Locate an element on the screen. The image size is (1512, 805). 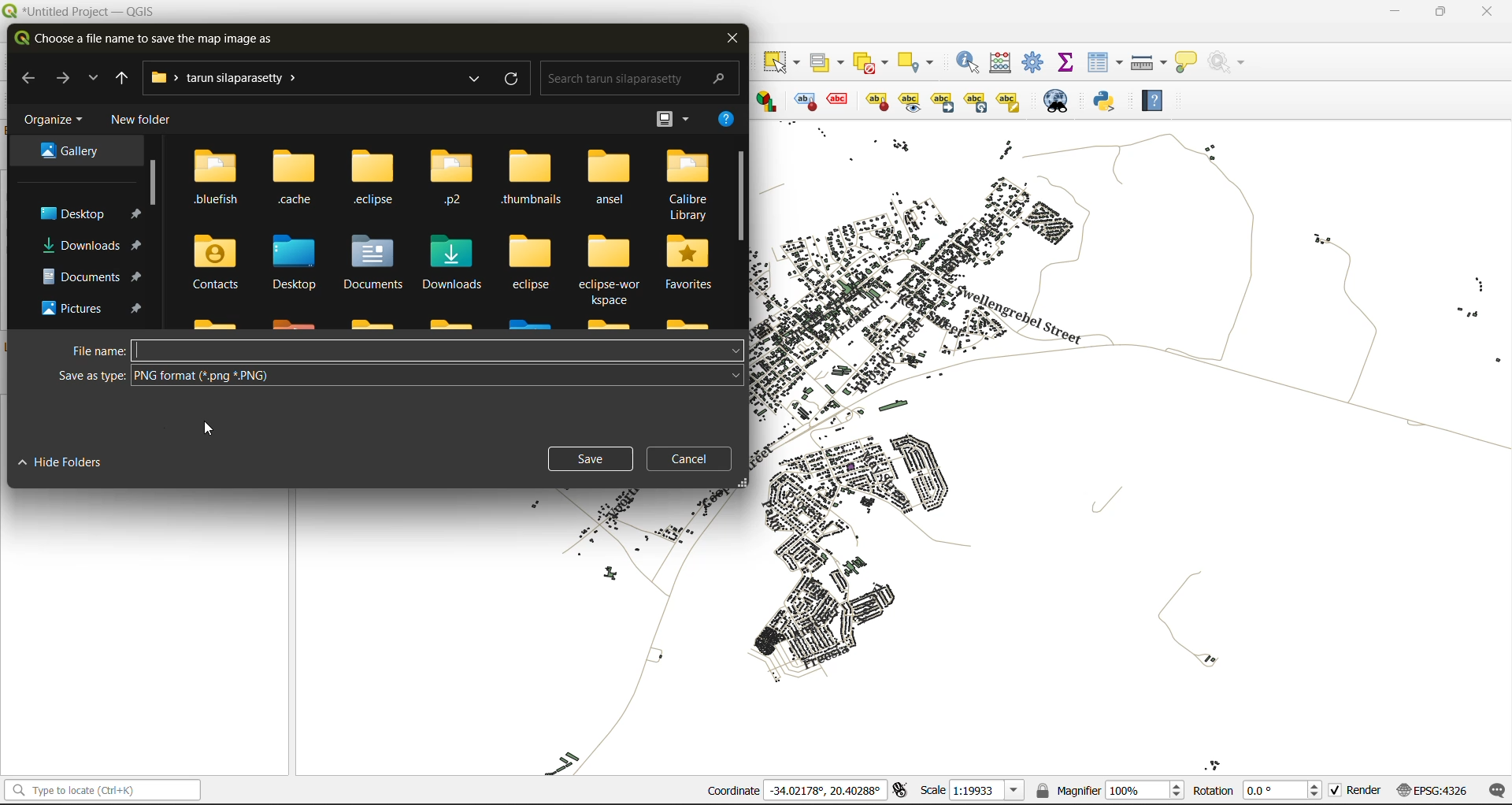
identify features is located at coordinates (969, 61).